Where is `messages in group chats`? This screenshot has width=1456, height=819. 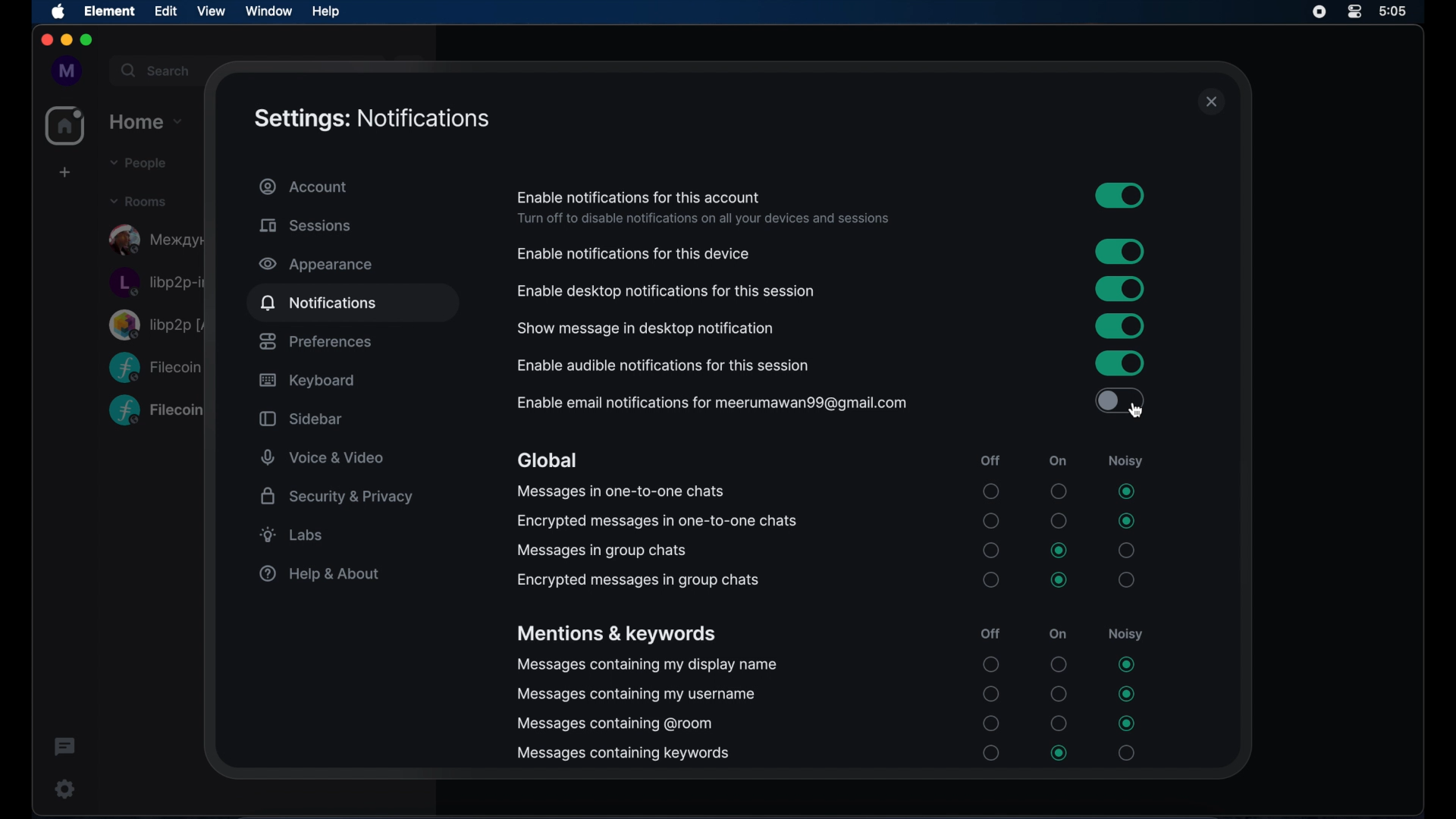 messages in group chats is located at coordinates (600, 551).